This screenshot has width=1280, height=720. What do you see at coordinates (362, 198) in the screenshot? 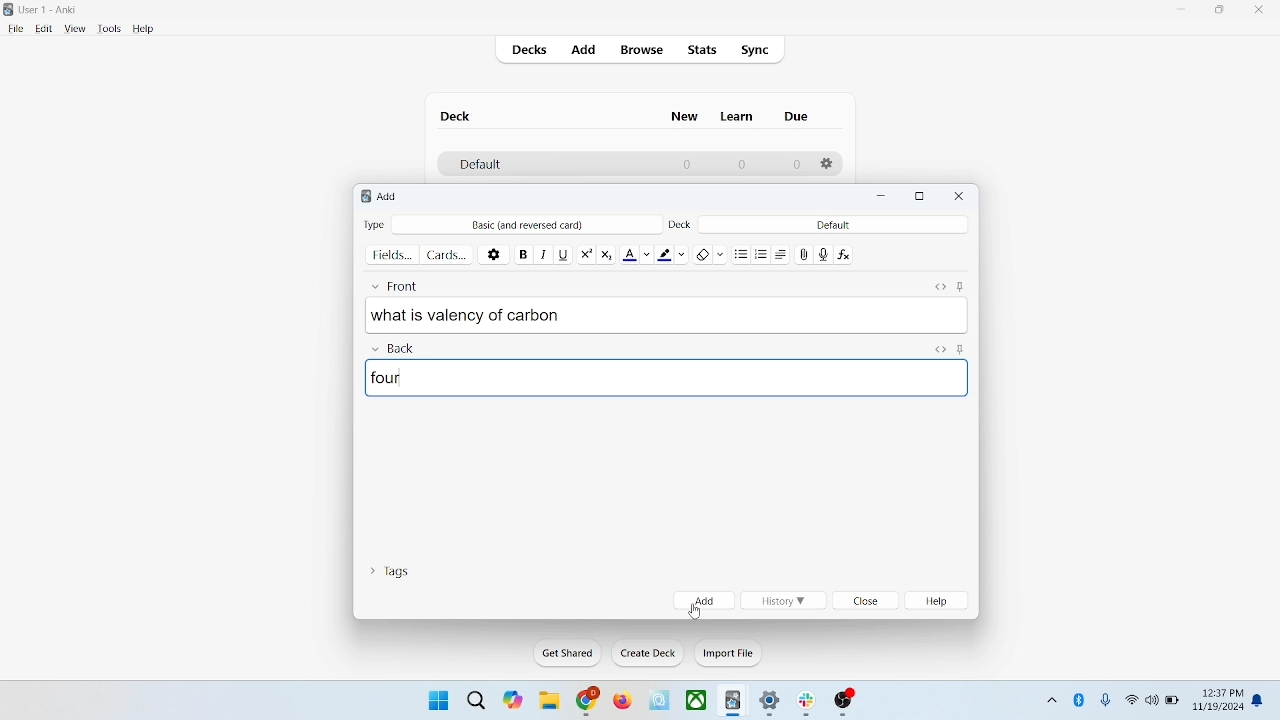
I see `logo` at bounding box center [362, 198].